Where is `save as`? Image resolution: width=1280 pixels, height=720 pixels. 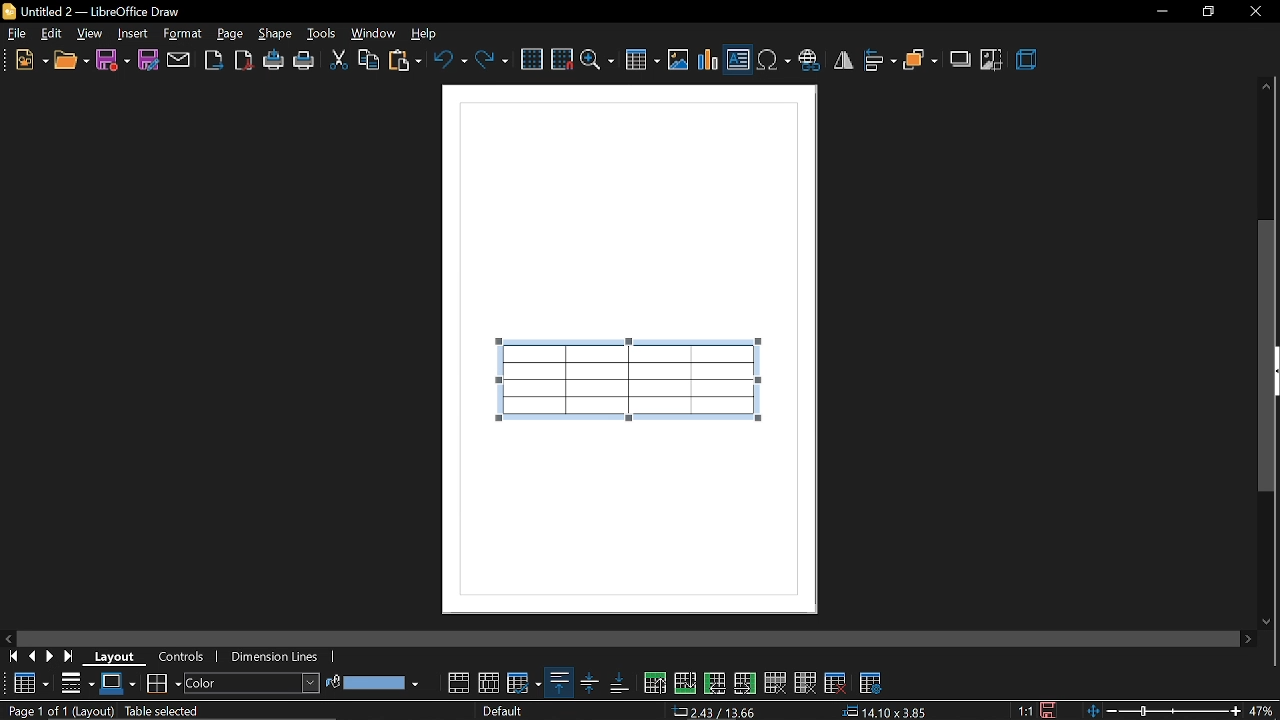 save as is located at coordinates (149, 61).